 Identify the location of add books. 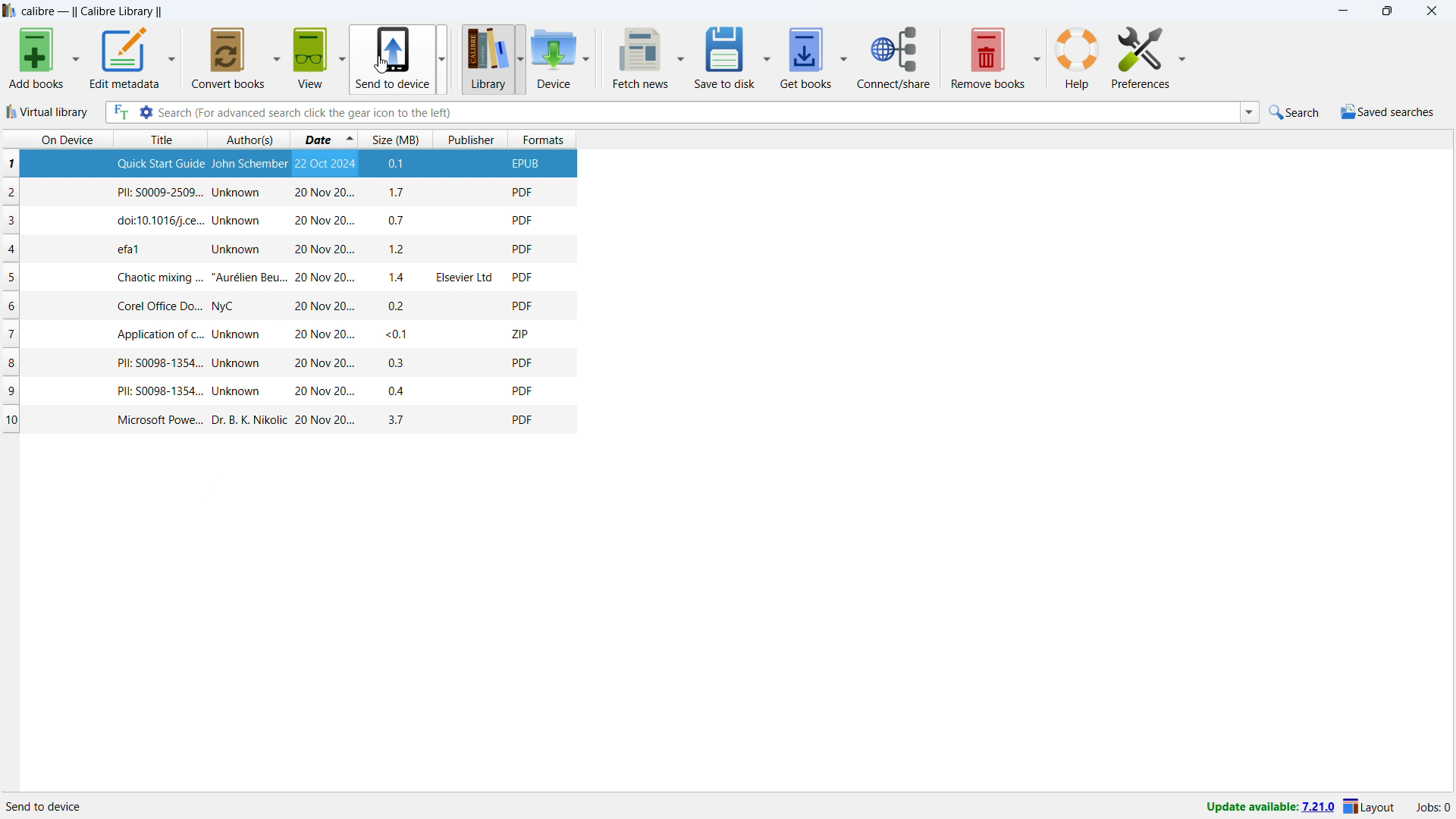
(37, 58).